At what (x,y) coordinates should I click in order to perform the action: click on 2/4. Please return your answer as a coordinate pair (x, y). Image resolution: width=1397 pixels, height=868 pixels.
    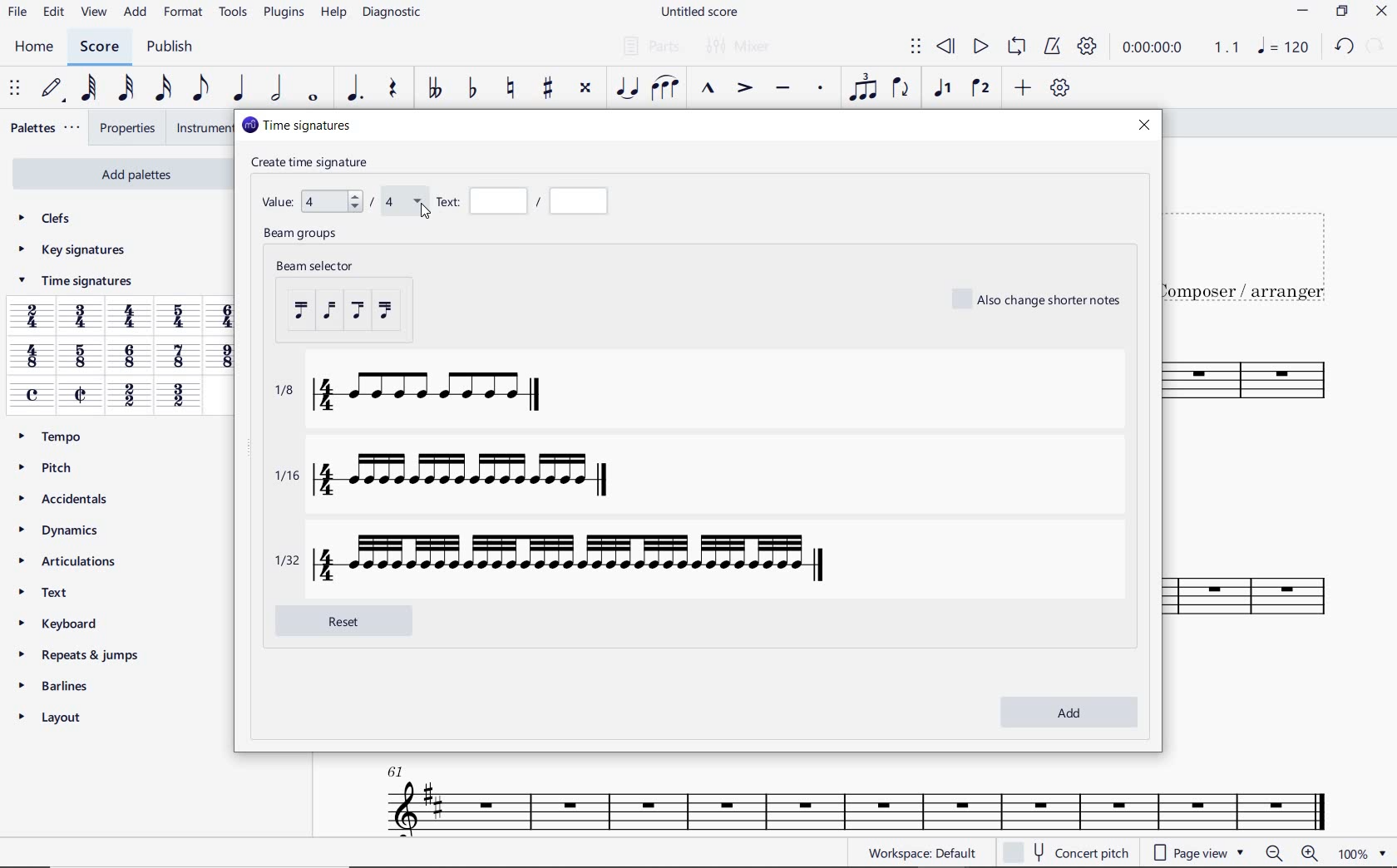
    Looking at the image, I should click on (32, 316).